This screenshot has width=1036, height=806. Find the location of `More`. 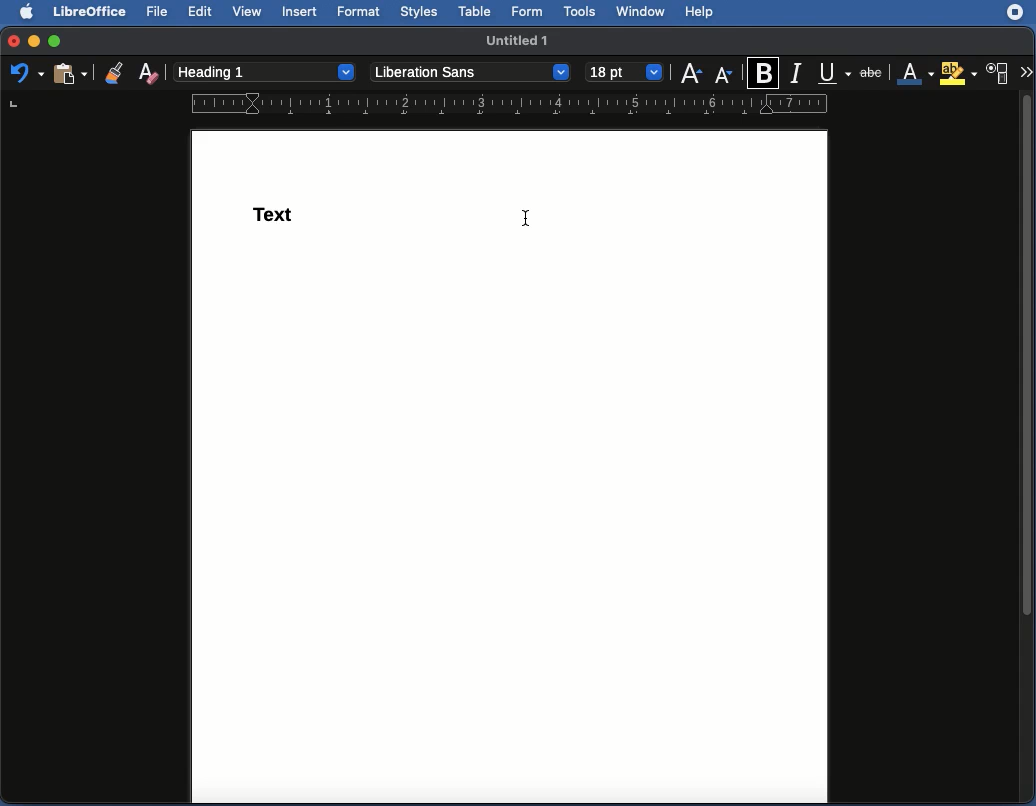

More is located at coordinates (1026, 73).